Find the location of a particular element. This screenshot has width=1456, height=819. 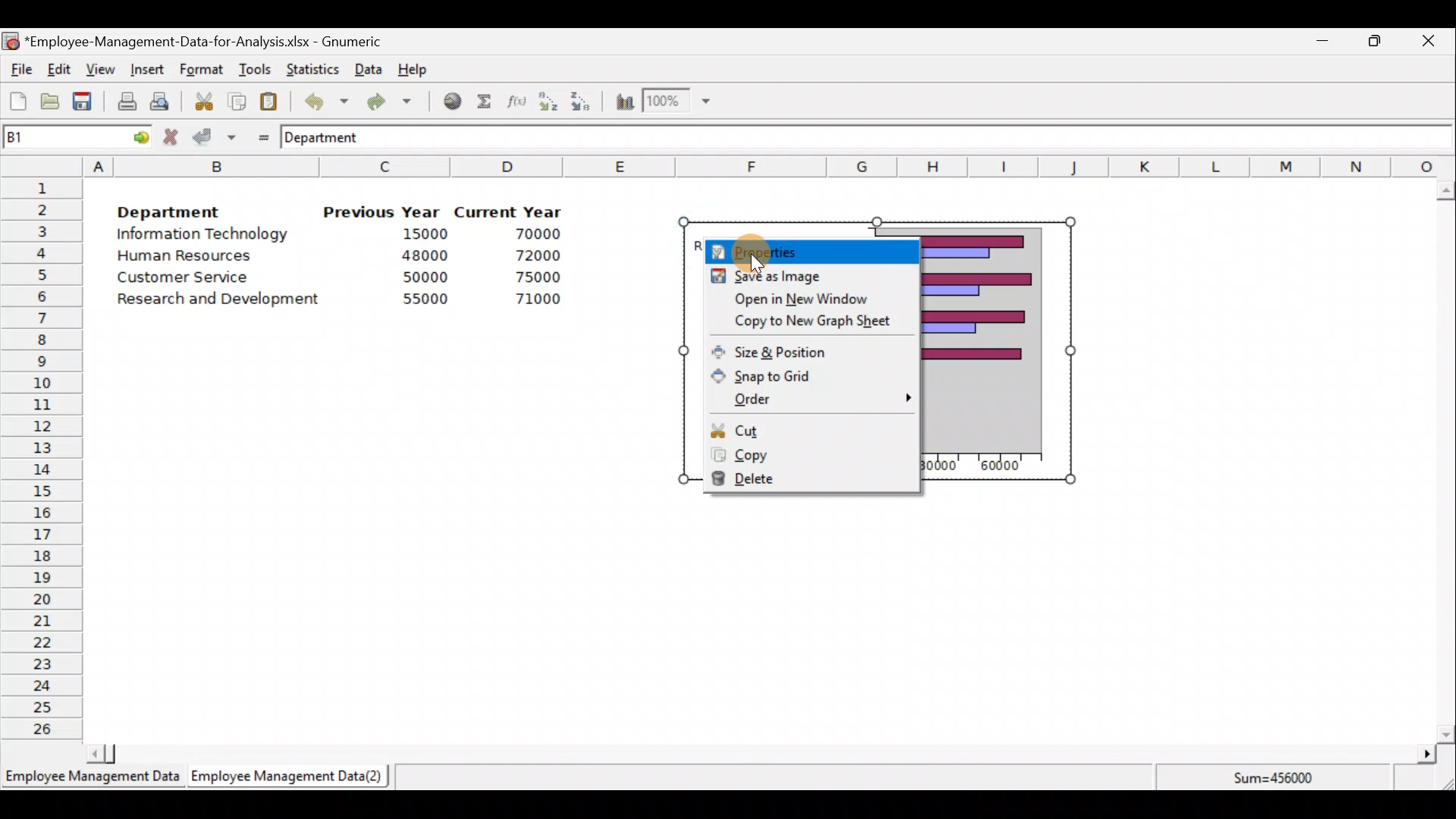

Human Resources is located at coordinates (192, 257).